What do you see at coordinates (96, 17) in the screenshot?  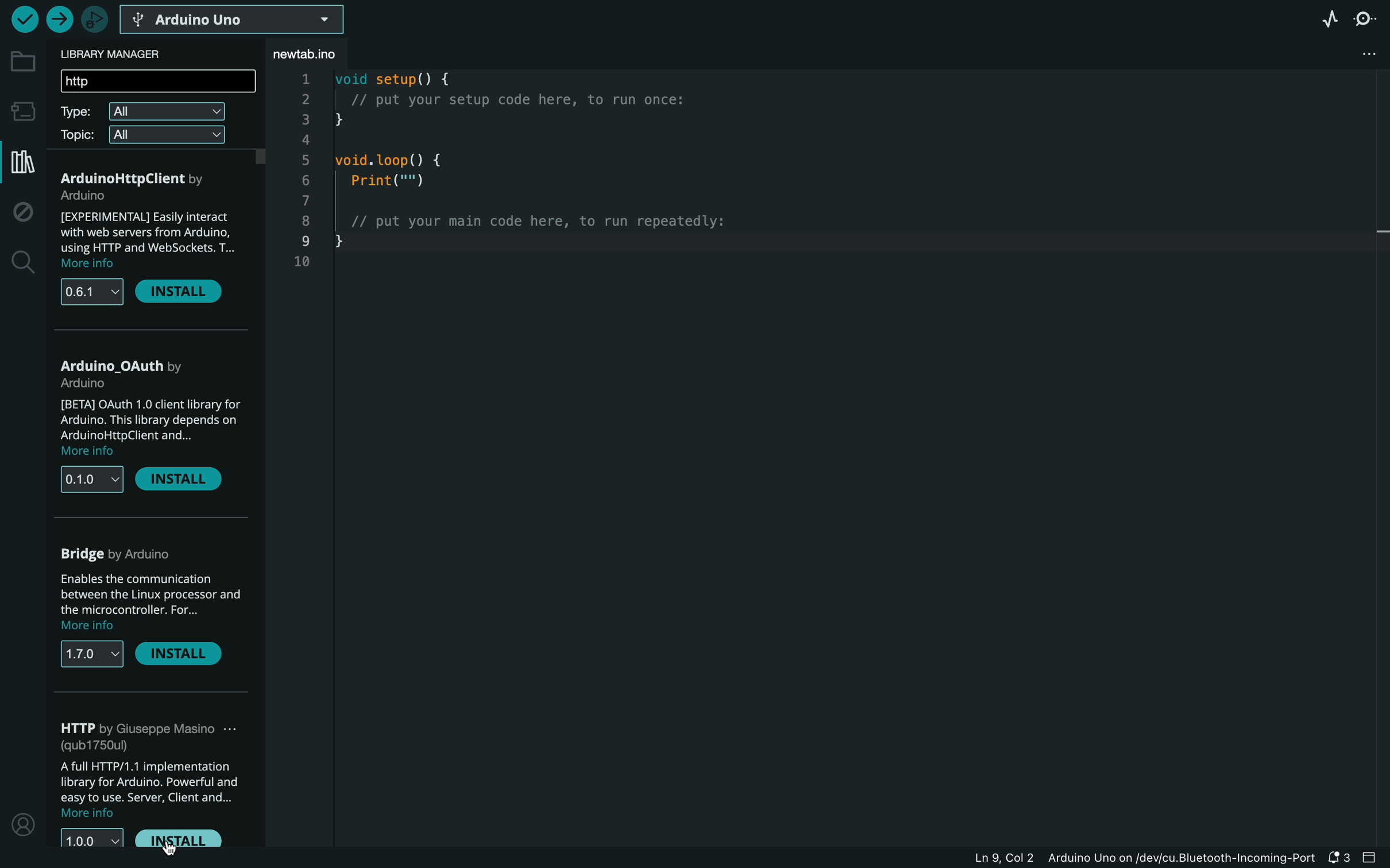 I see `debugger` at bounding box center [96, 17].